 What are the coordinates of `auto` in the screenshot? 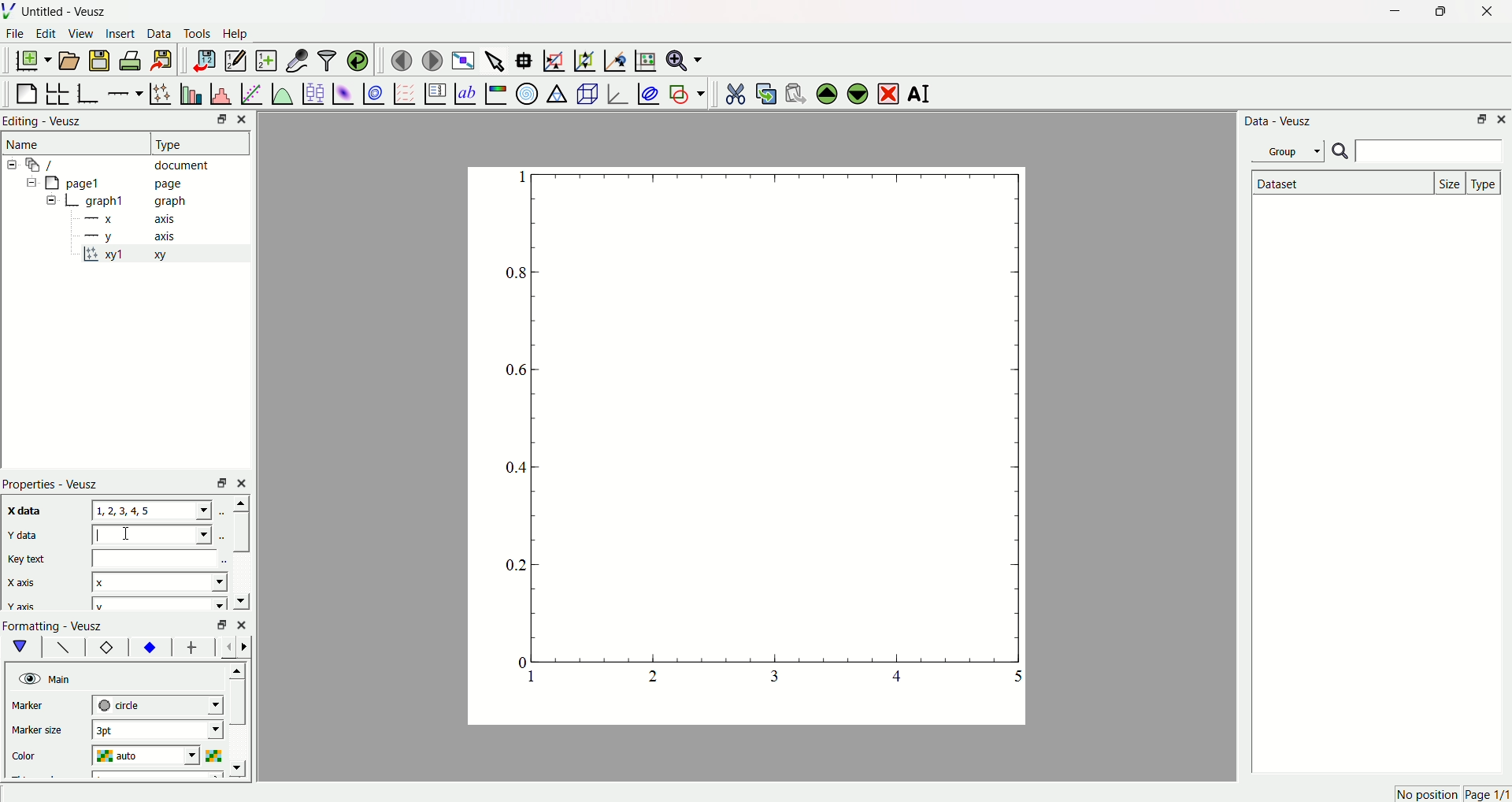 It's located at (150, 756).